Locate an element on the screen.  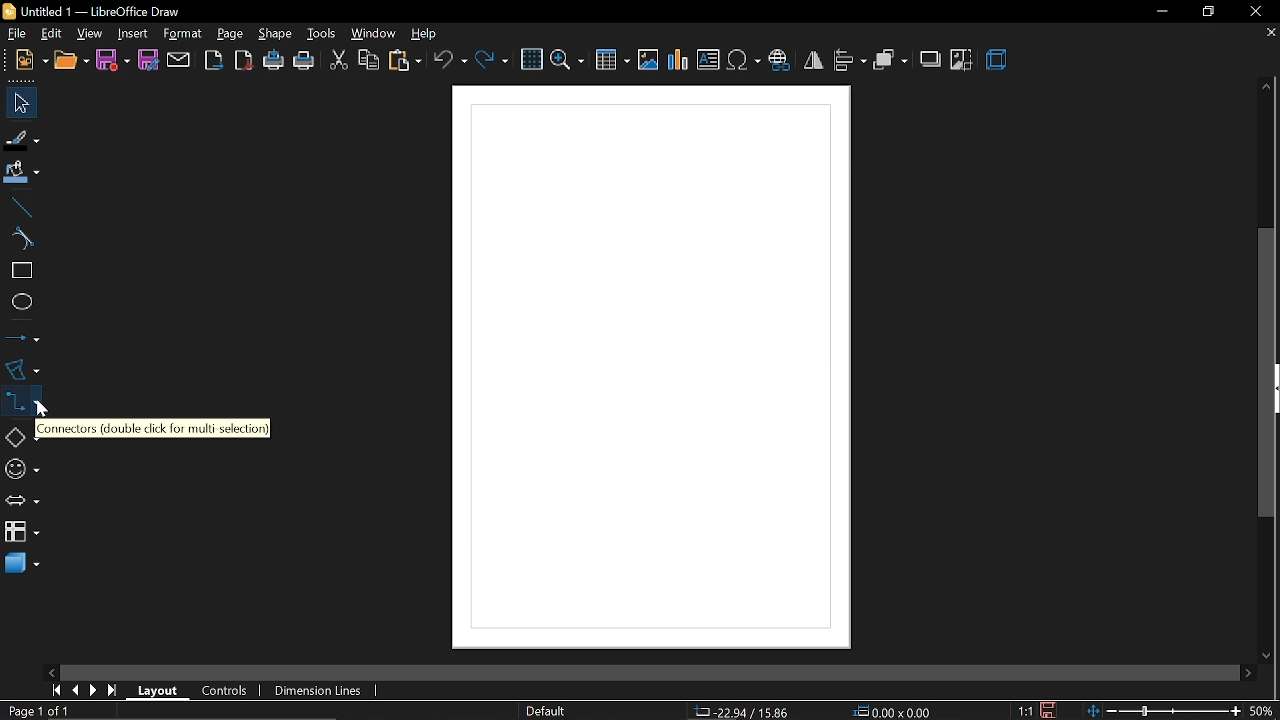
export as pdf is located at coordinates (244, 62).